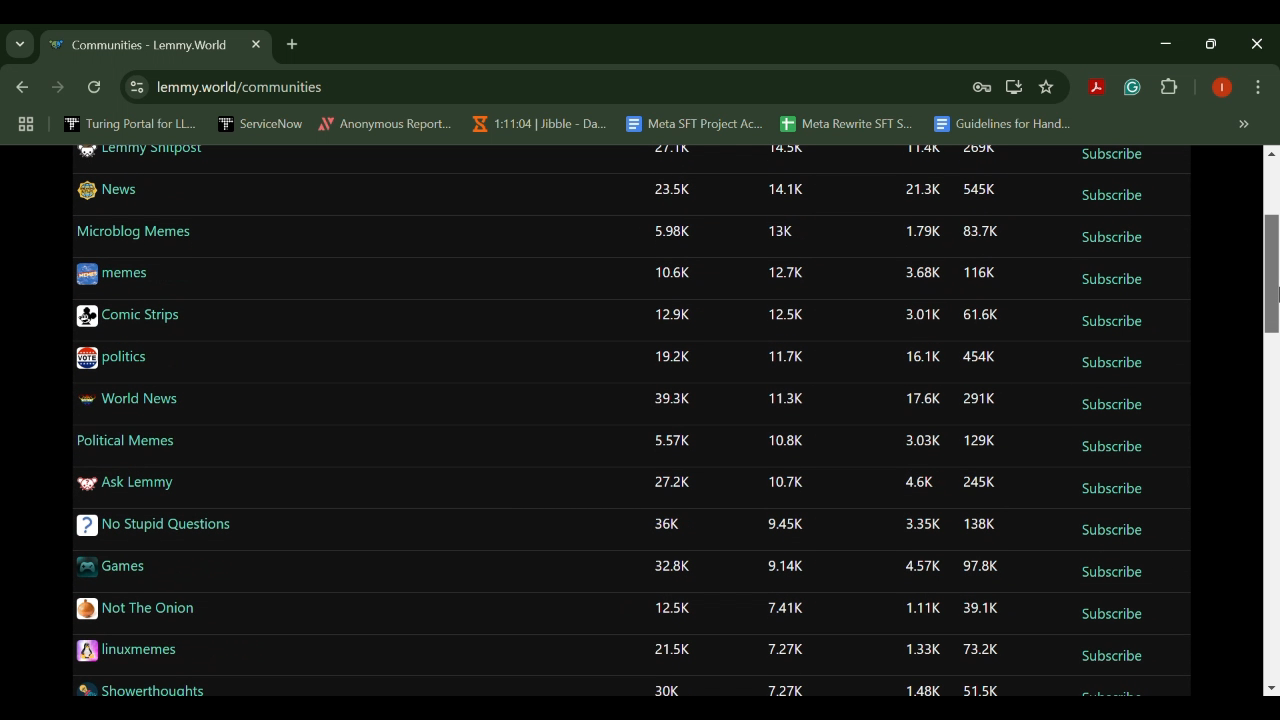 Image resolution: width=1280 pixels, height=720 pixels. What do you see at coordinates (783, 566) in the screenshot?
I see `9.14K` at bounding box center [783, 566].